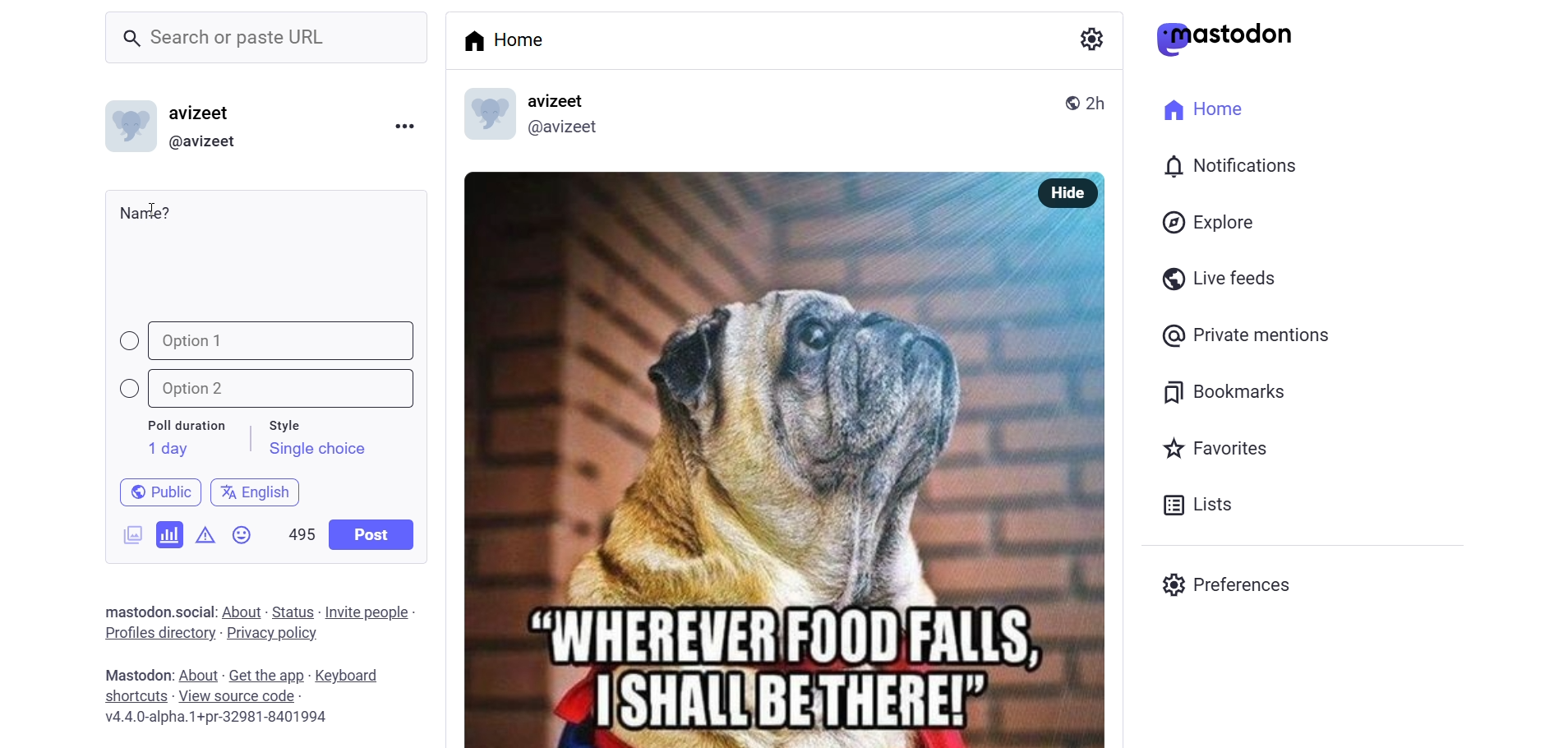 The width and height of the screenshot is (1568, 748). I want to click on version, so click(218, 719).